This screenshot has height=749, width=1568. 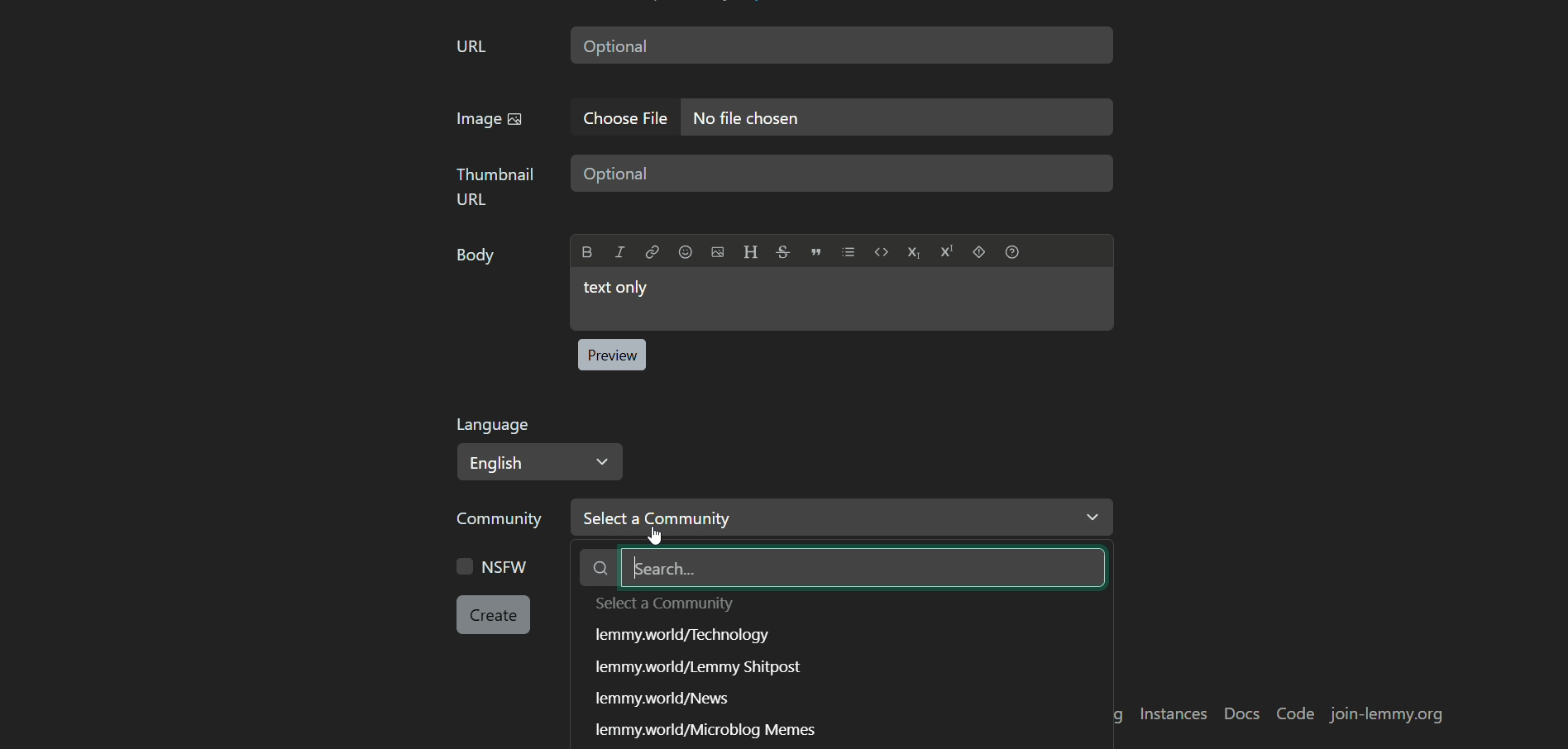 What do you see at coordinates (1298, 715) in the screenshot?
I see `code` at bounding box center [1298, 715].